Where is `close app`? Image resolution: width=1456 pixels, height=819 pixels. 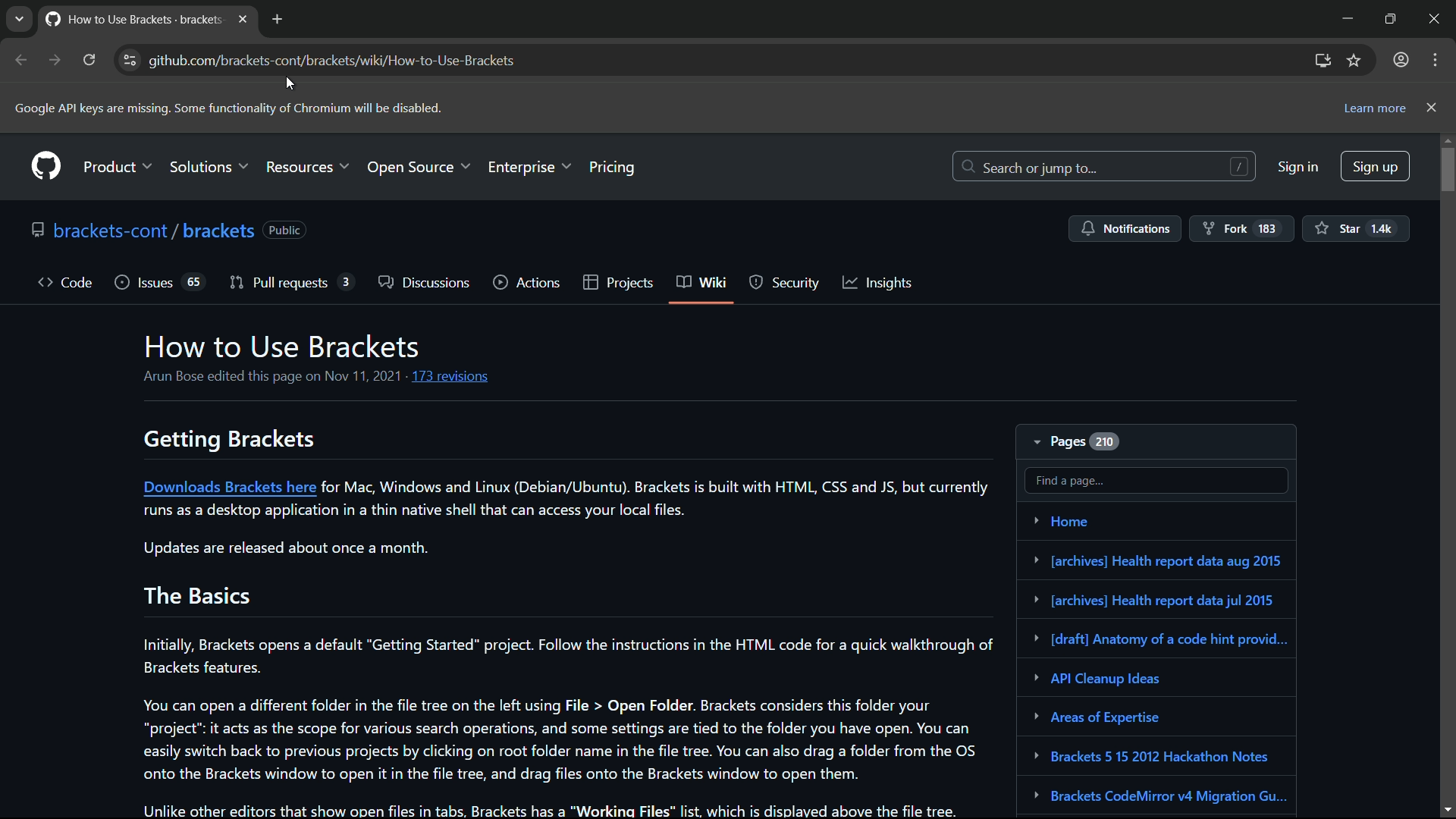 close app is located at coordinates (1436, 20).